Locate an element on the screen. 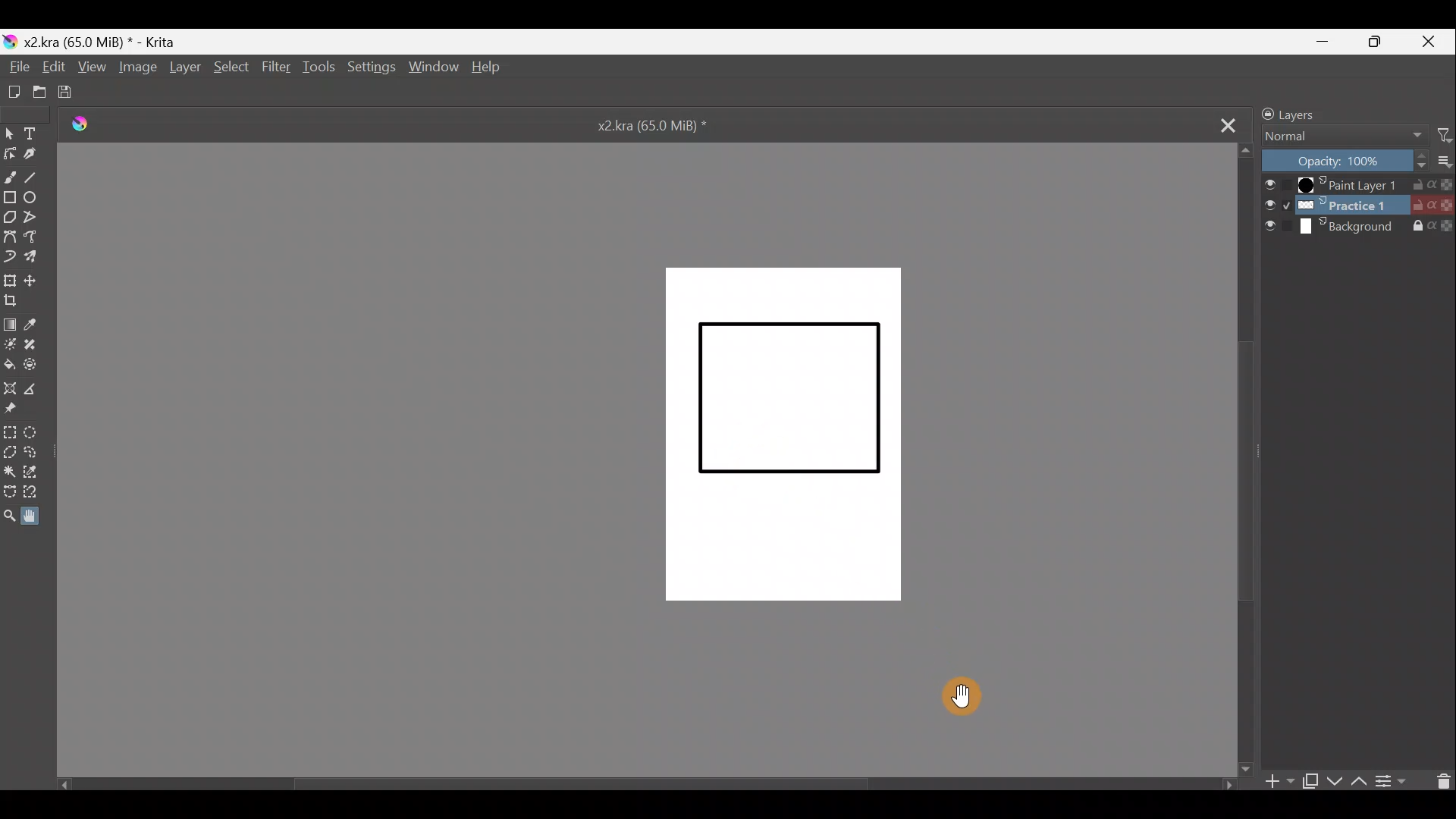 This screenshot has height=819, width=1456. Text tool is located at coordinates (34, 134).